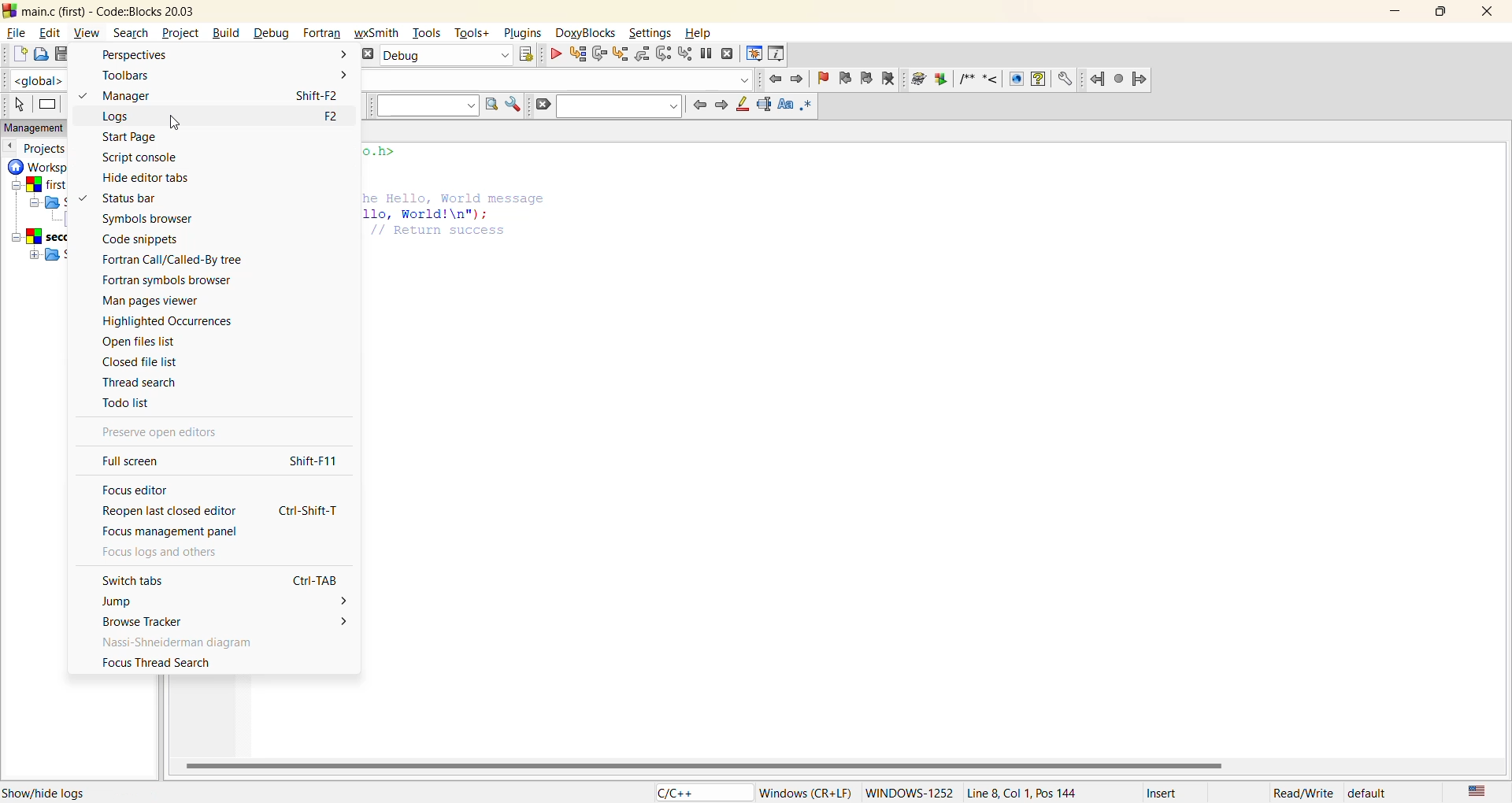 The image size is (1512, 803). I want to click on run search, so click(491, 105).